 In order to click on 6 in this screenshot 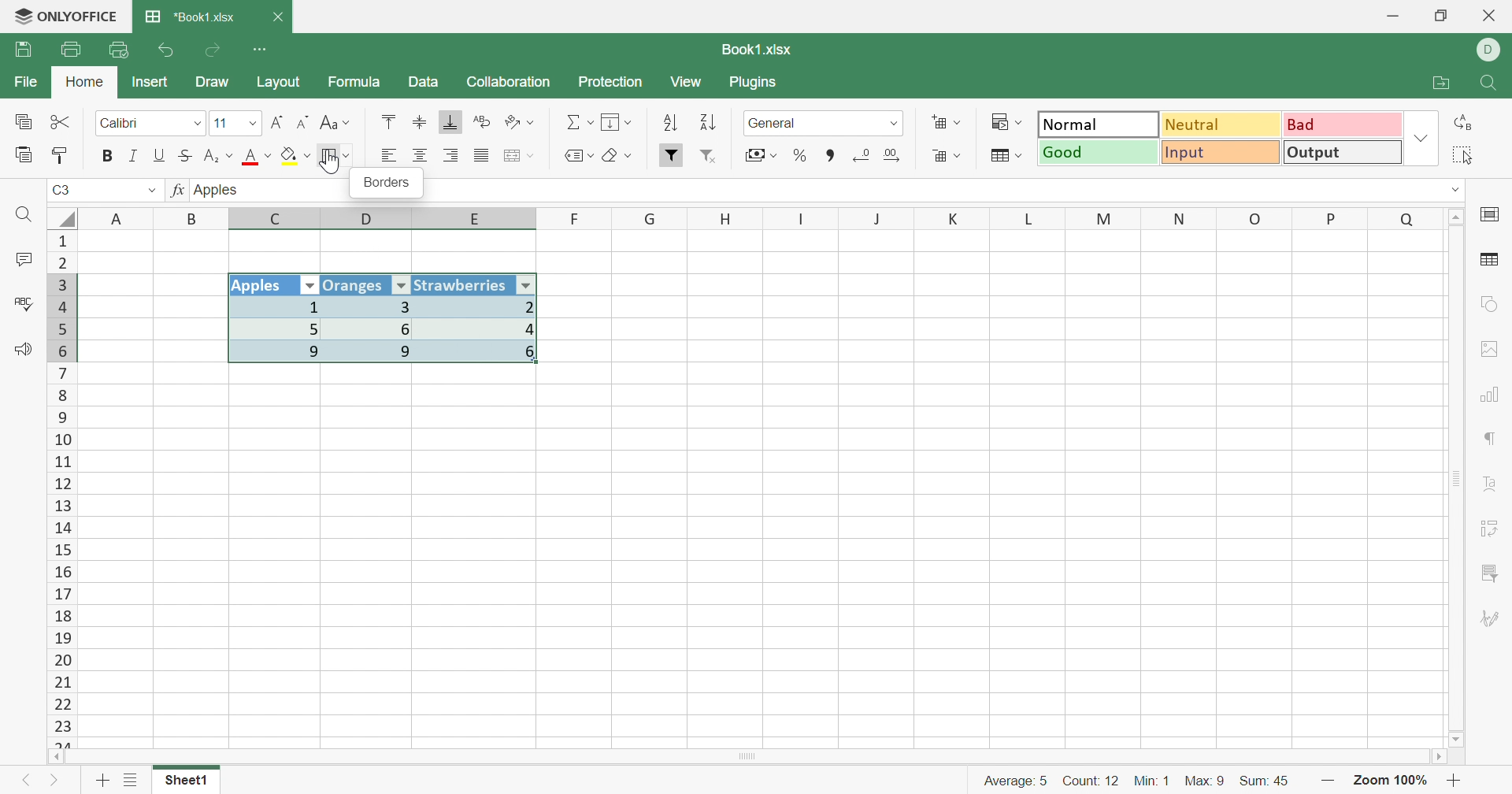, I will do `click(378, 328)`.